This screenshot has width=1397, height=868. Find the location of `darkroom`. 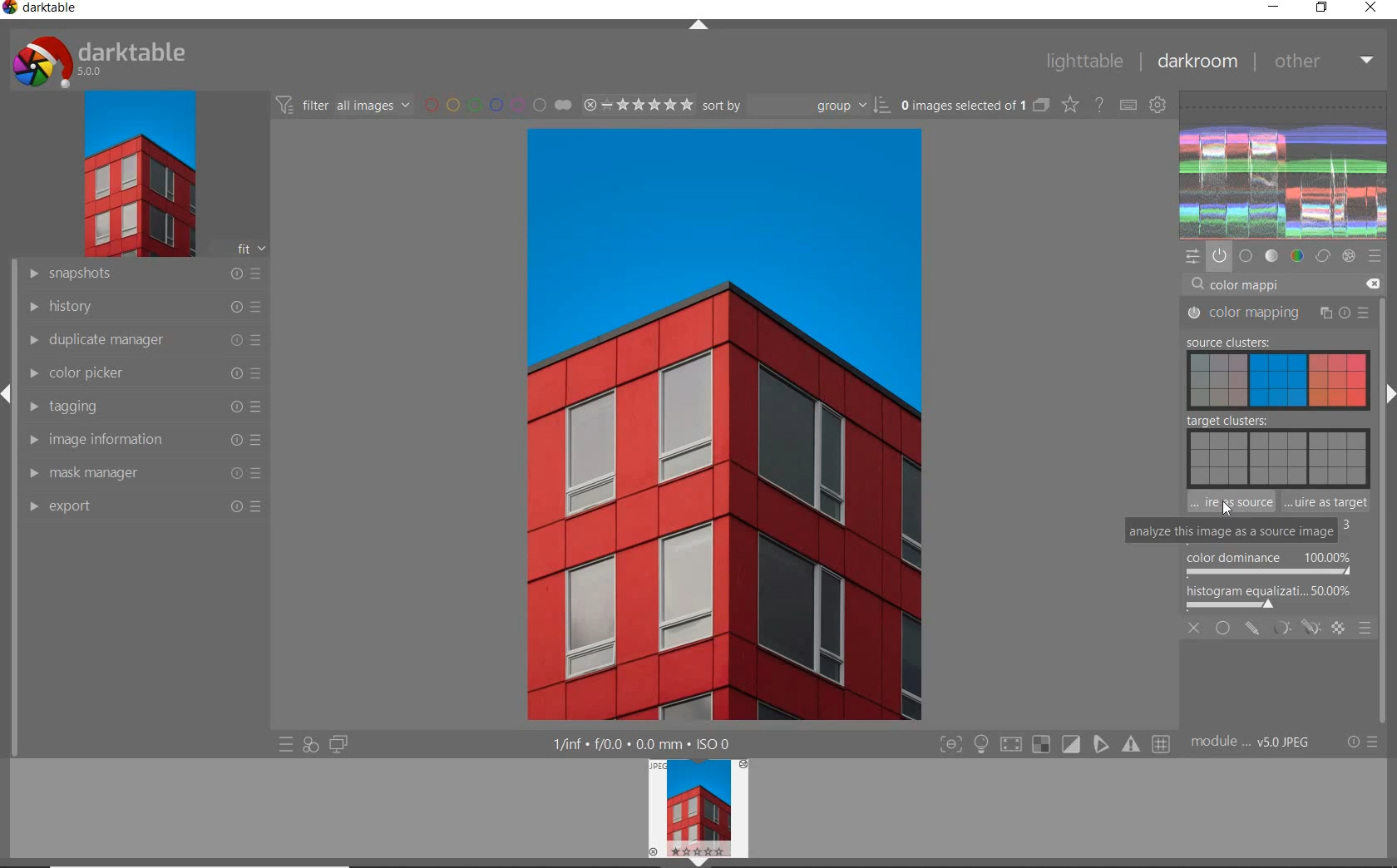

darkroom is located at coordinates (1197, 59).